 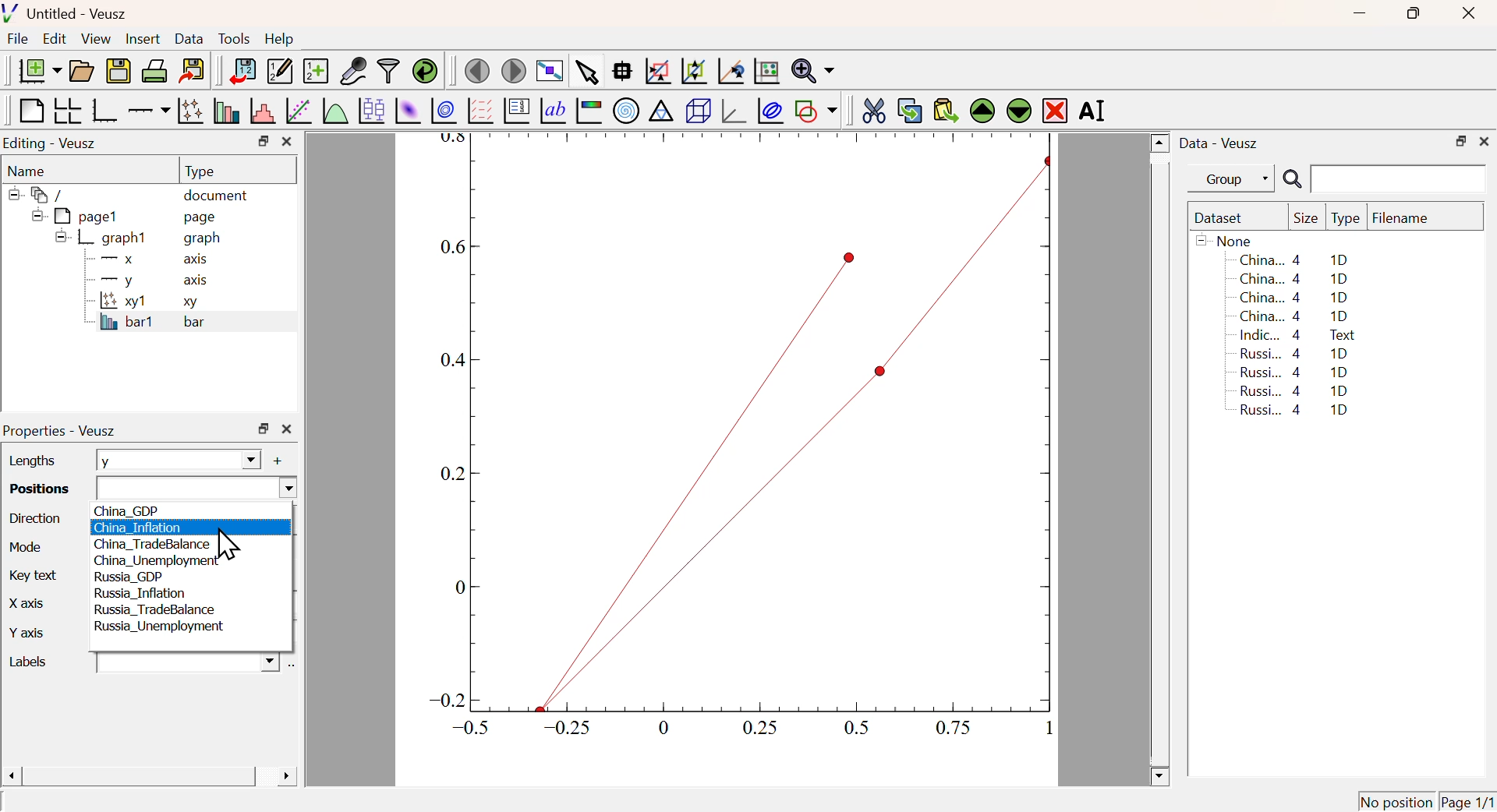 I want to click on China... 4 1D, so click(x=1294, y=316).